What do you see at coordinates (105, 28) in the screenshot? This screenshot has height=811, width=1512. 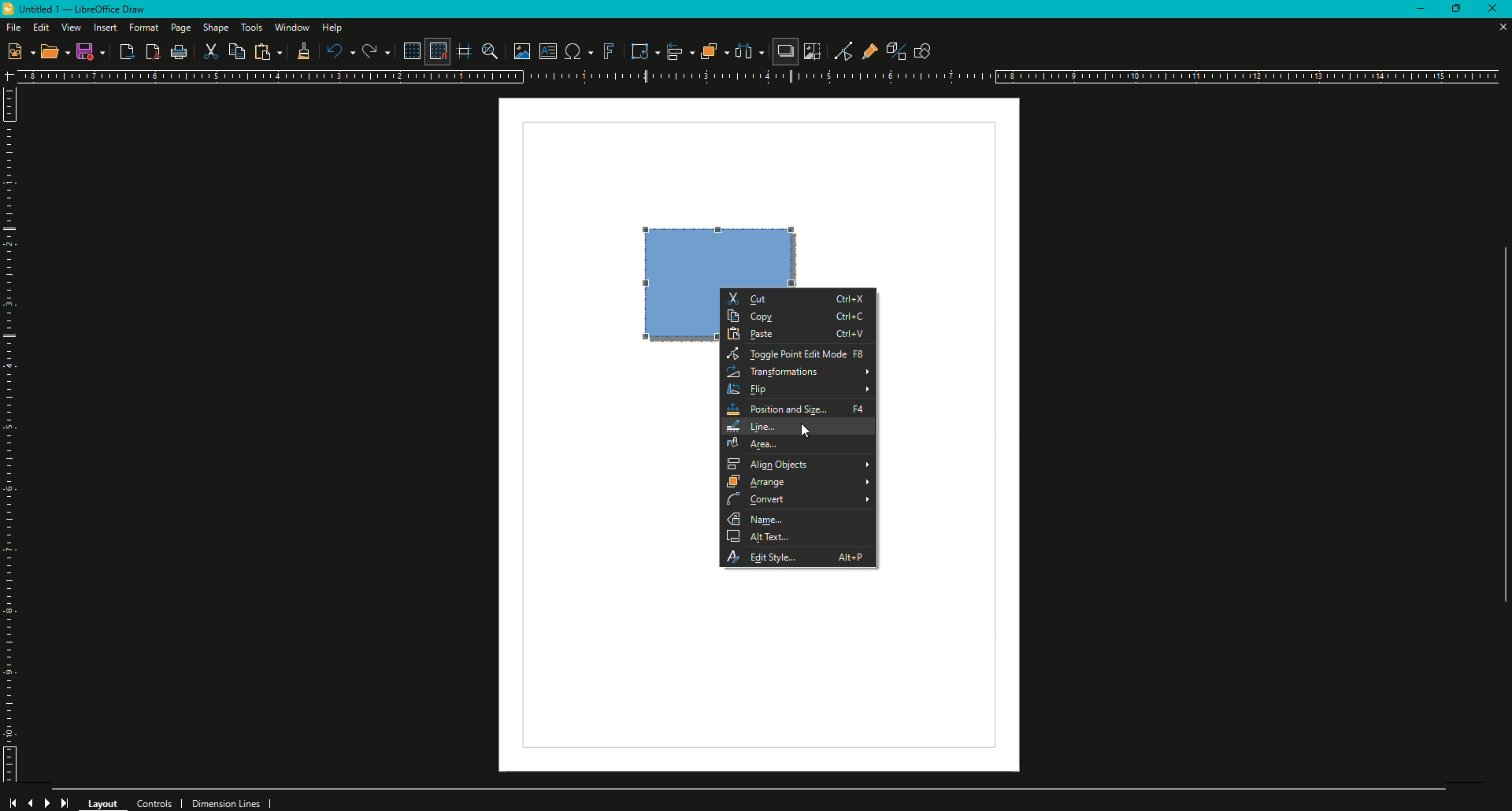 I see `Insert` at bounding box center [105, 28].